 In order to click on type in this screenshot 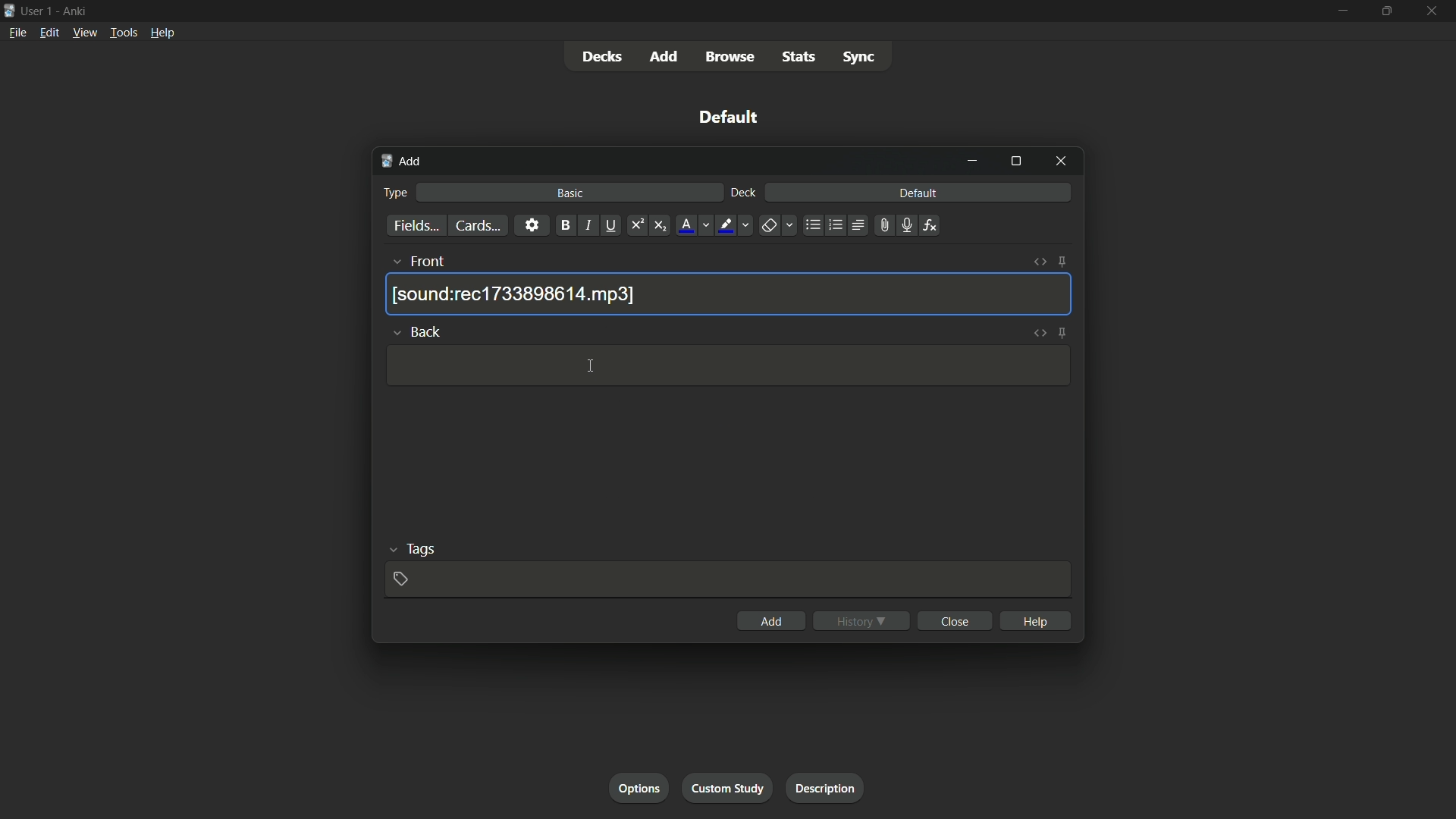, I will do `click(397, 192)`.